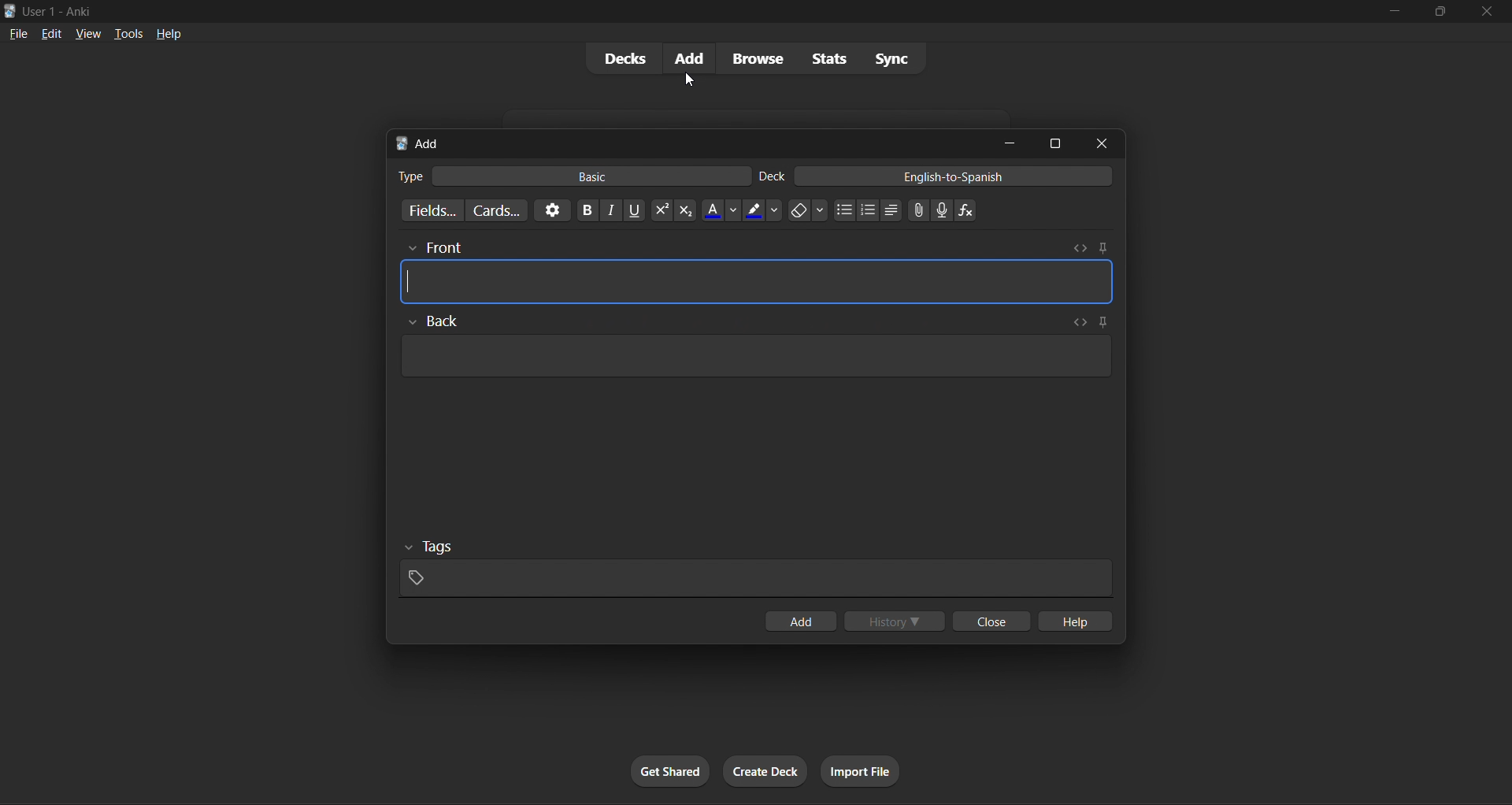 Image resolution: width=1512 pixels, height=805 pixels. I want to click on view, so click(82, 32).